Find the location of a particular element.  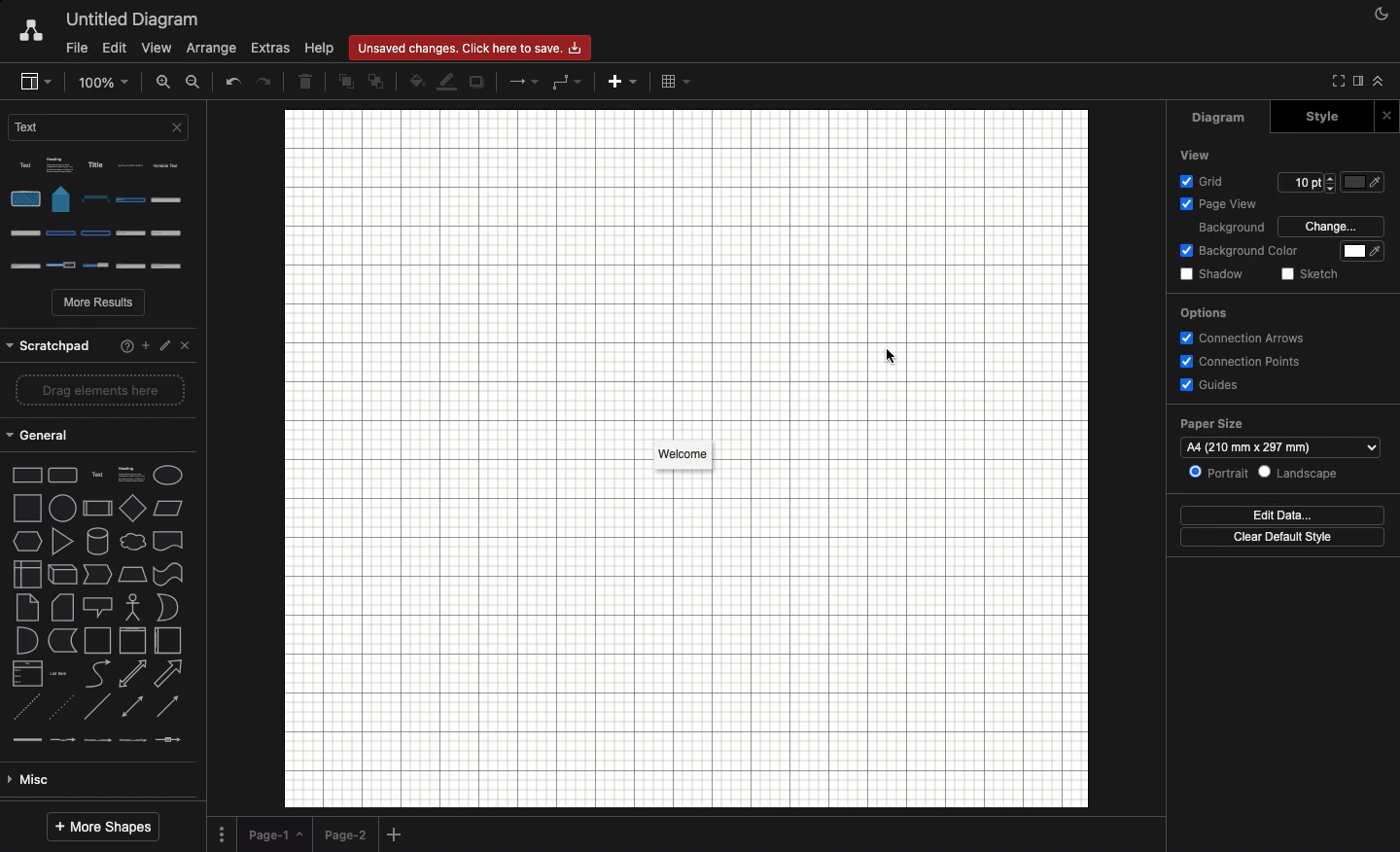

Duplicate is located at coordinates (478, 83).